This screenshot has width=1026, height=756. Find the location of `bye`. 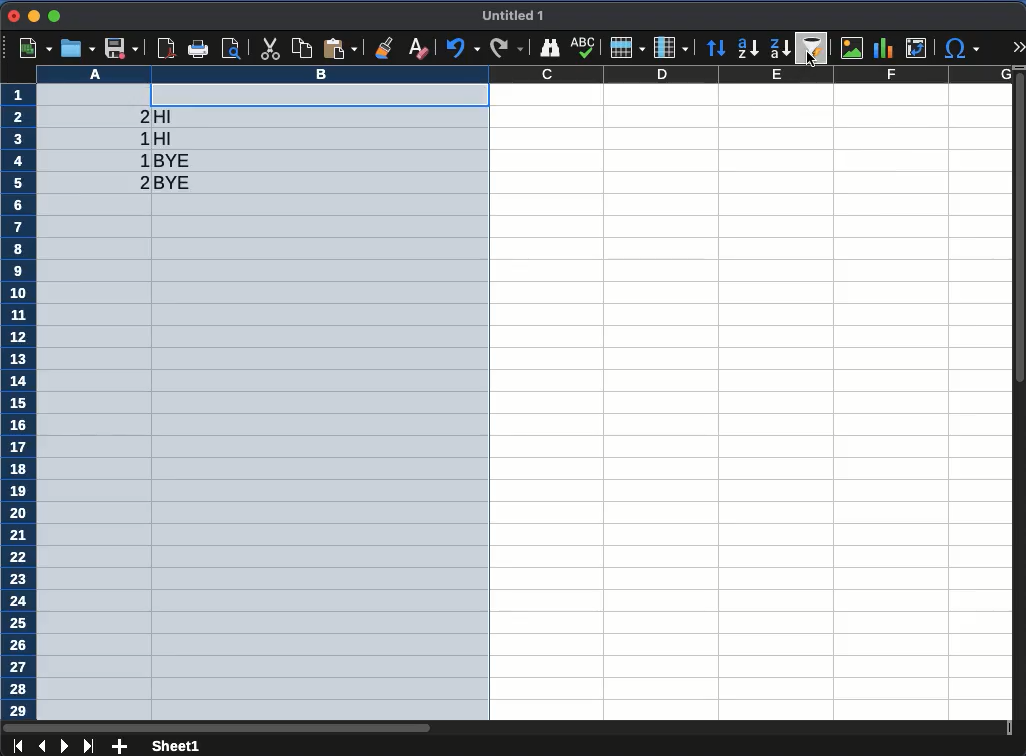

bye is located at coordinates (173, 161).